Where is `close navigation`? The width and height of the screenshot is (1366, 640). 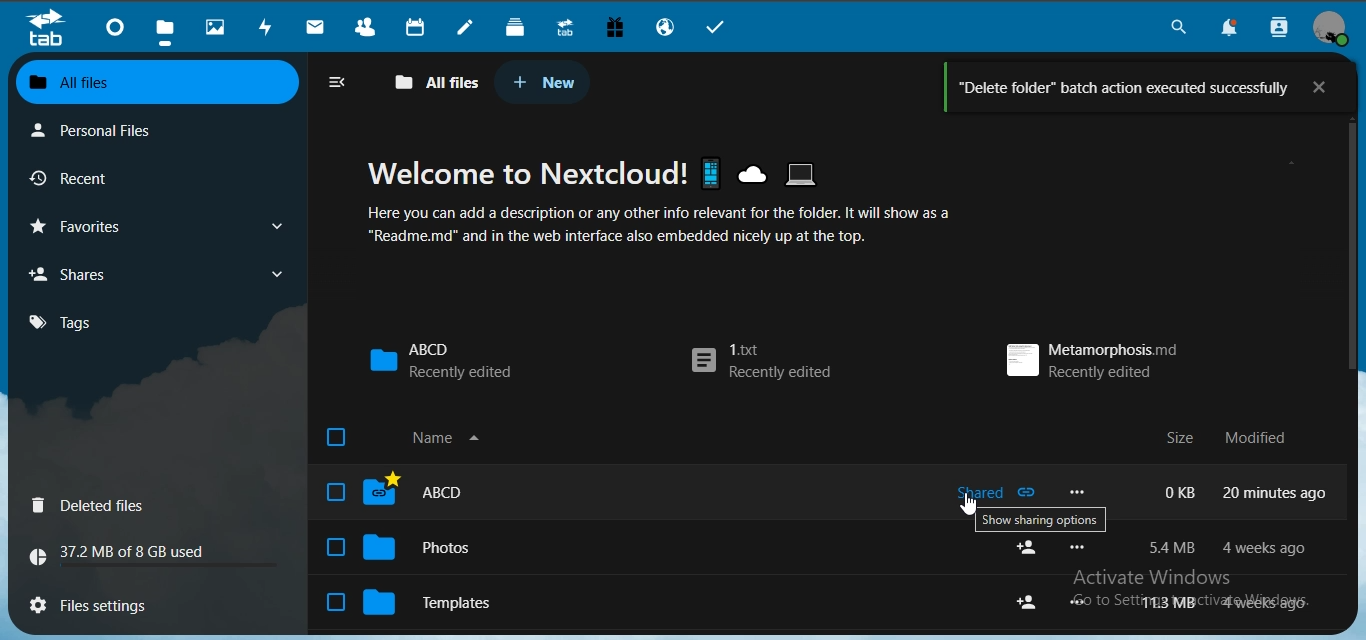
close navigation is located at coordinates (336, 81).